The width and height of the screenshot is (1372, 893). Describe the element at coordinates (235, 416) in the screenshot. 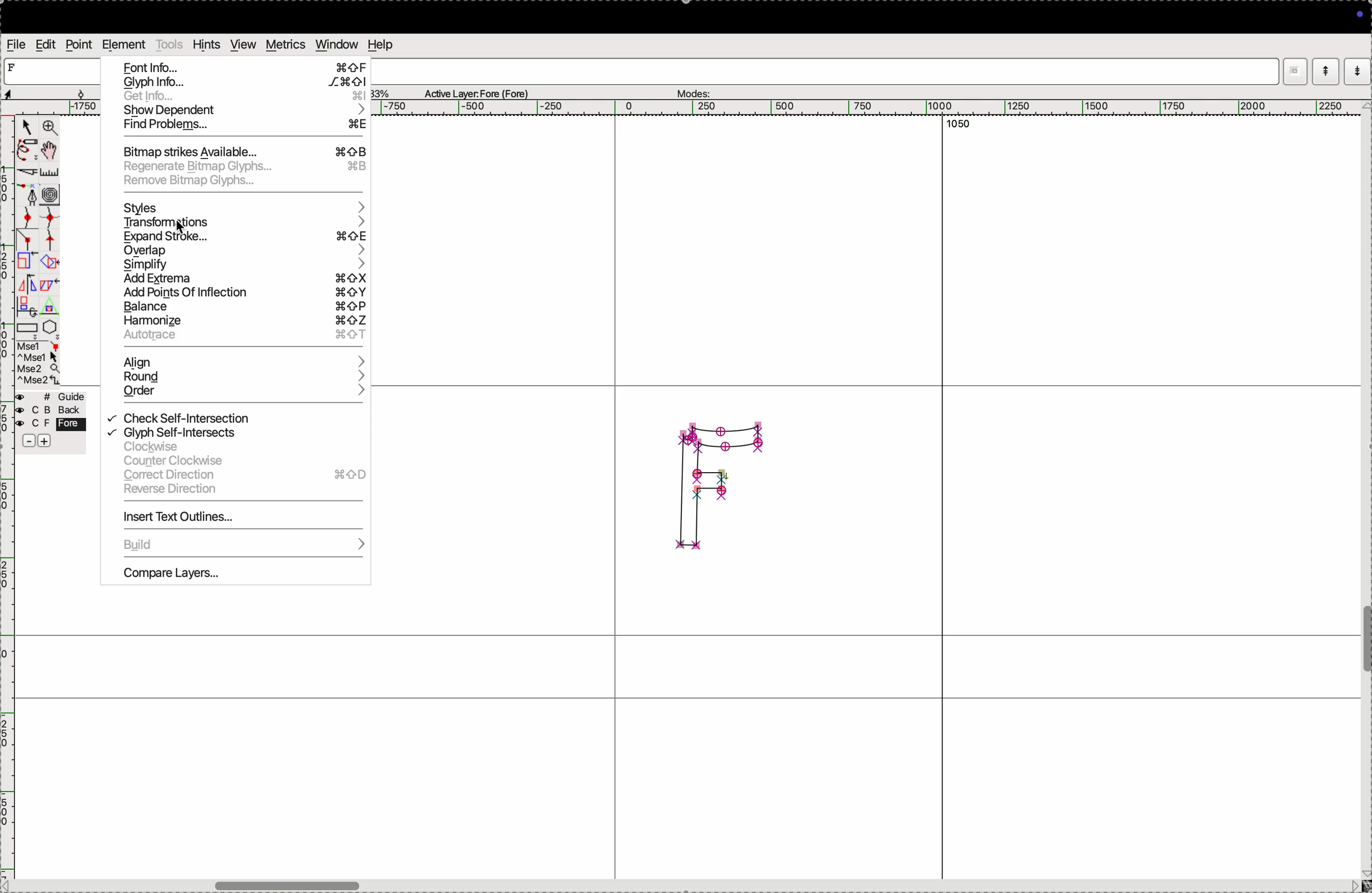

I see `click self intersection` at that location.